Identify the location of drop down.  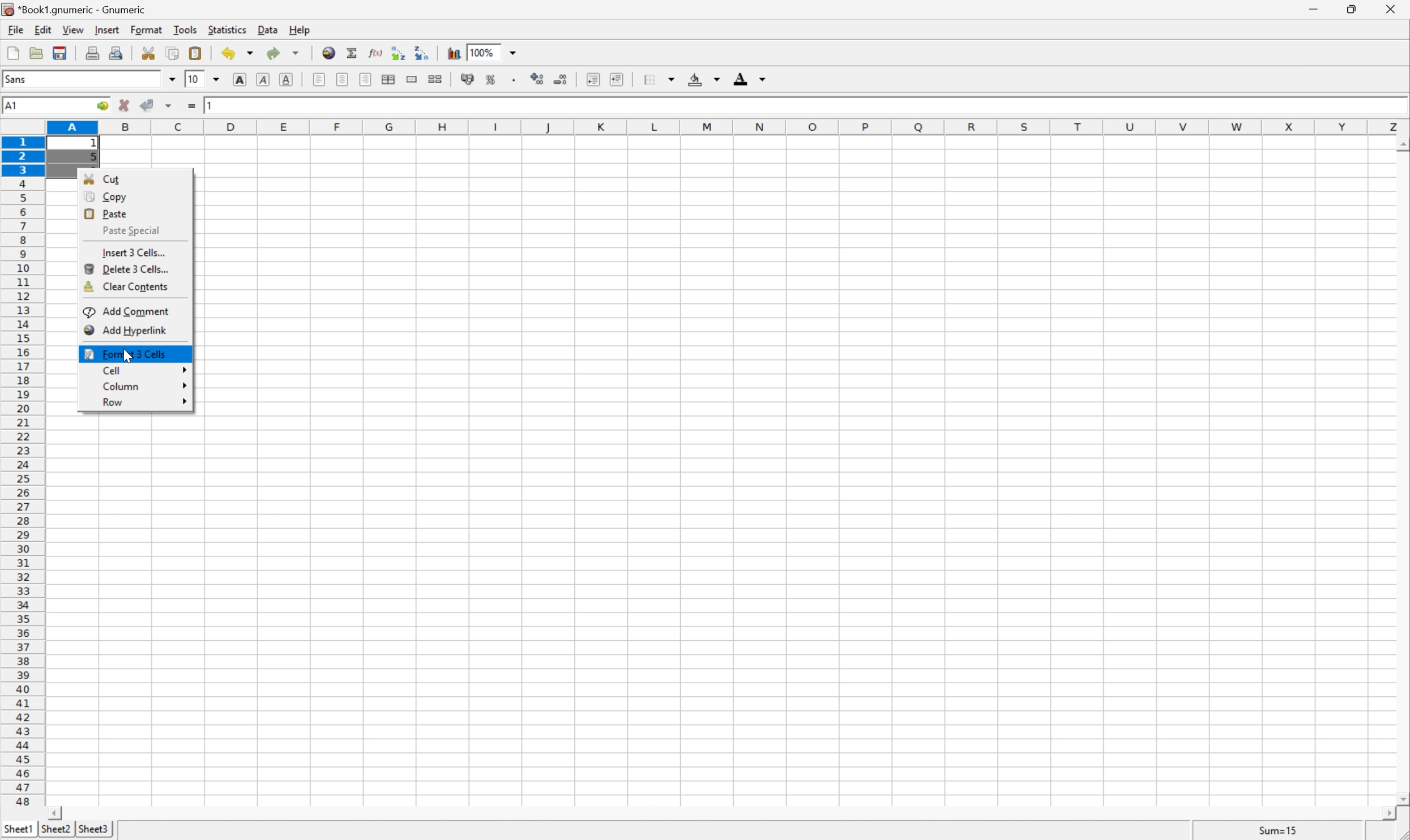
(516, 52).